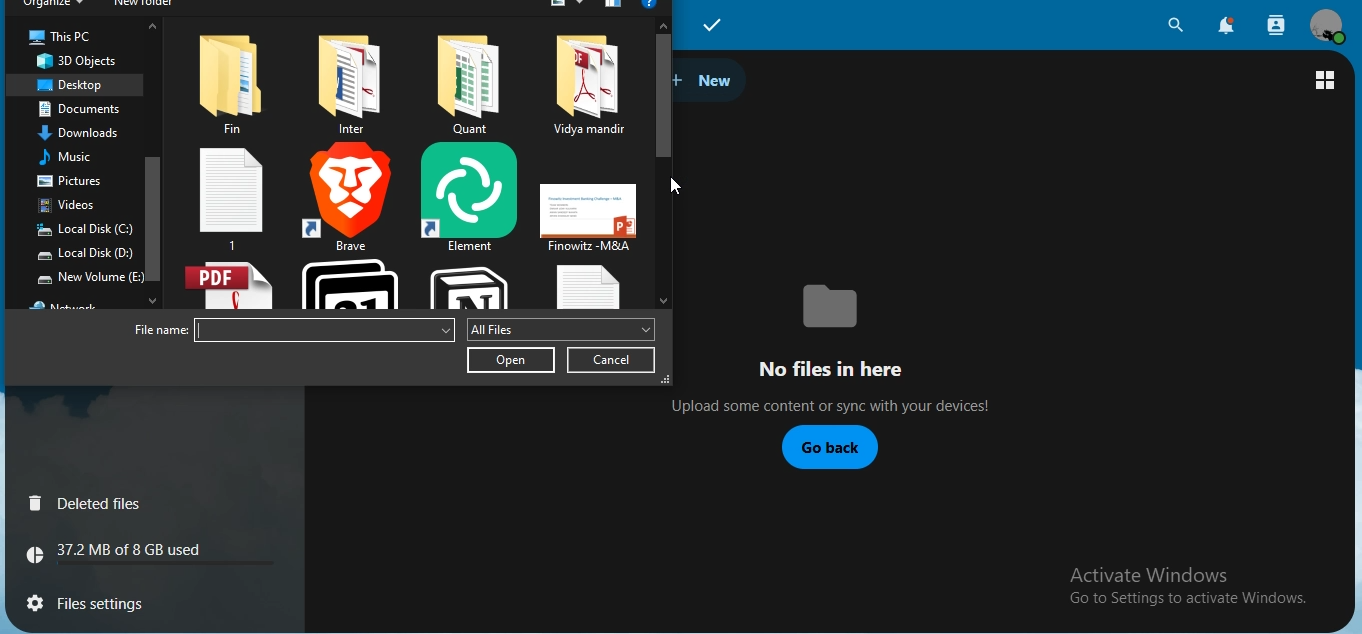 Image resolution: width=1362 pixels, height=634 pixels. What do you see at coordinates (664, 94) in the screenshot?
I see `scroll bar` at bounding box center [664, 94].